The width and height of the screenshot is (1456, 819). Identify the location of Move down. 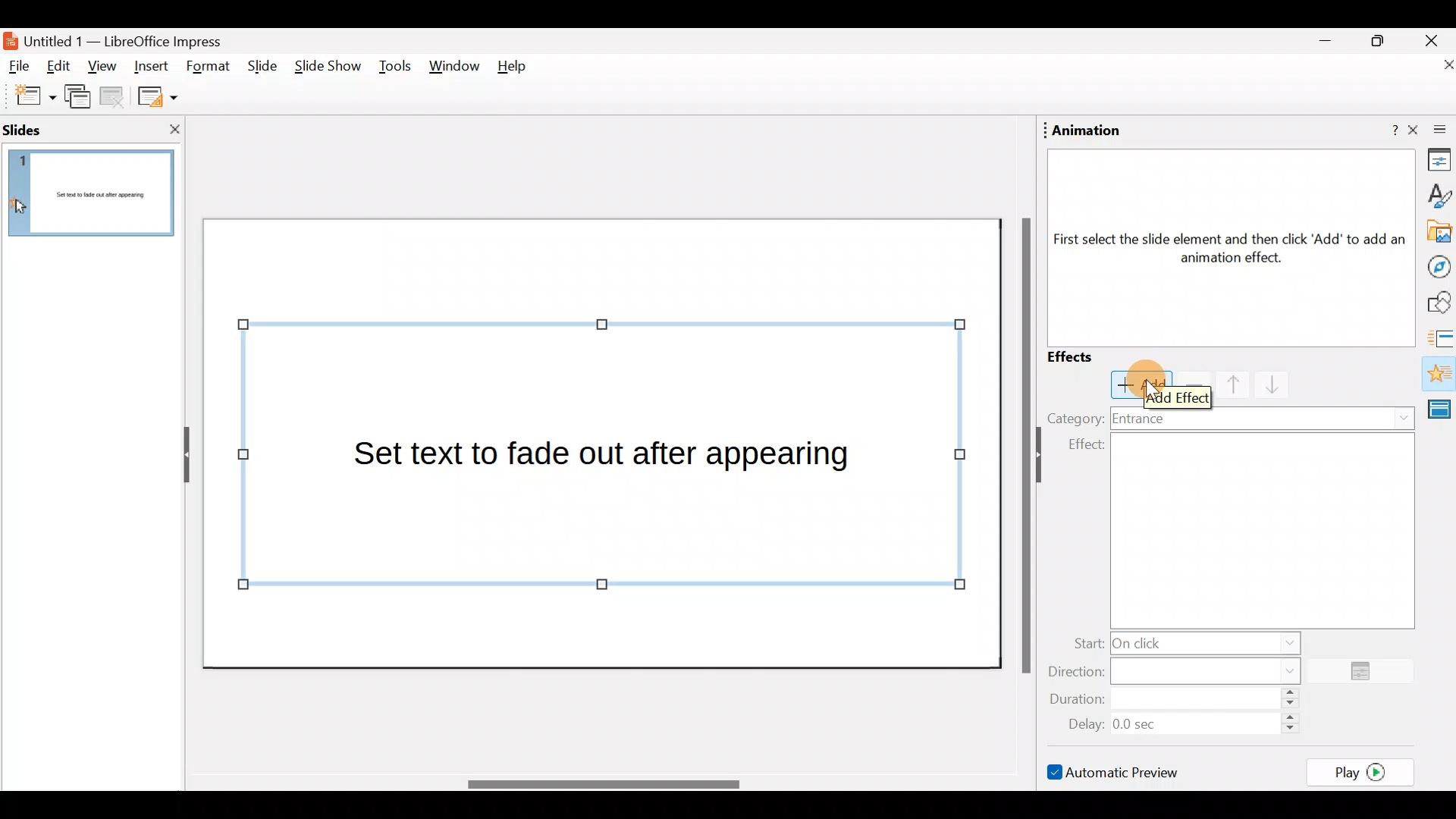
(1266, 385).